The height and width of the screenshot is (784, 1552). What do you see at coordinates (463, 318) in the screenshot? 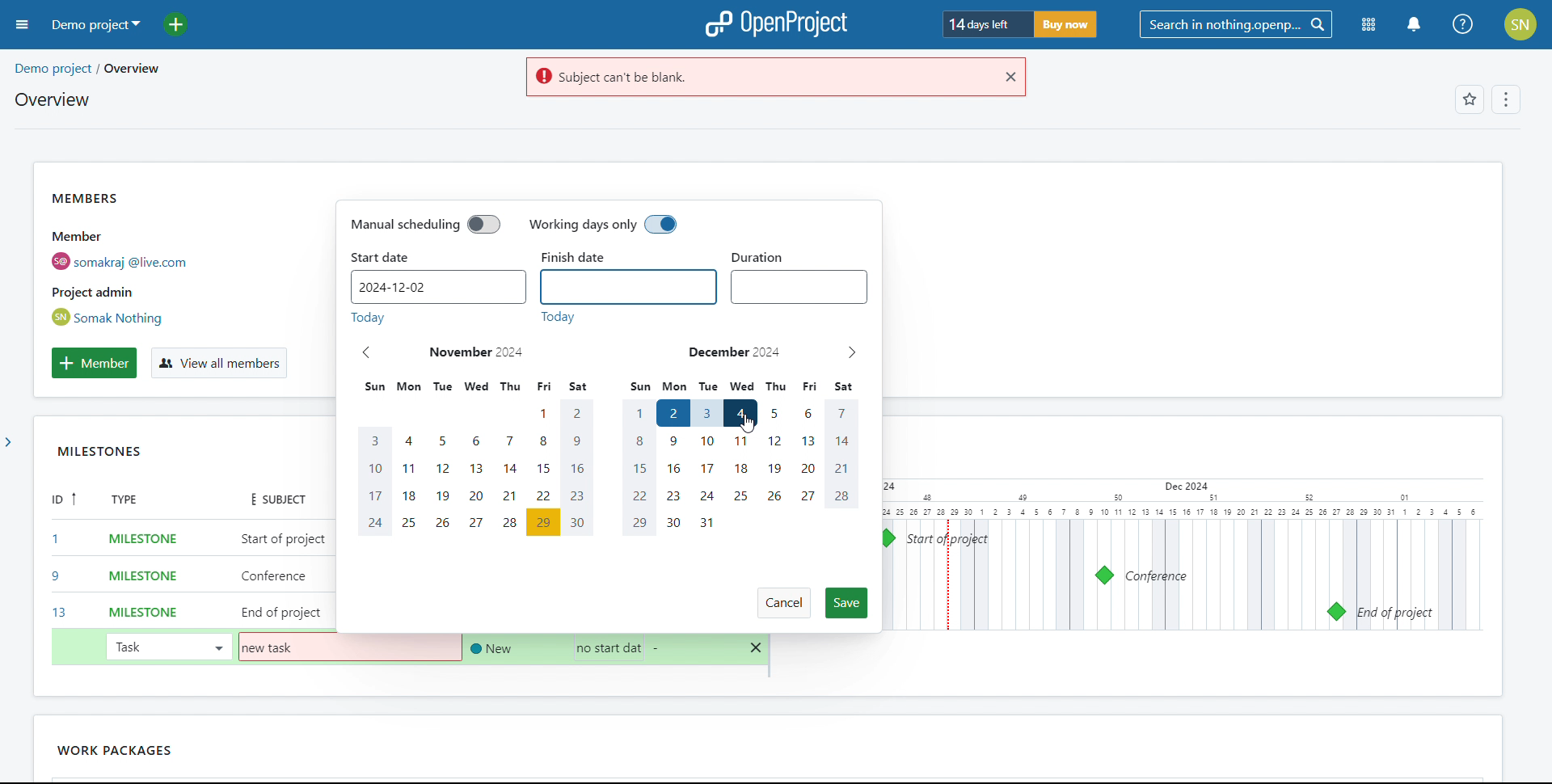
I see `today` at bounding box center [463, 318].